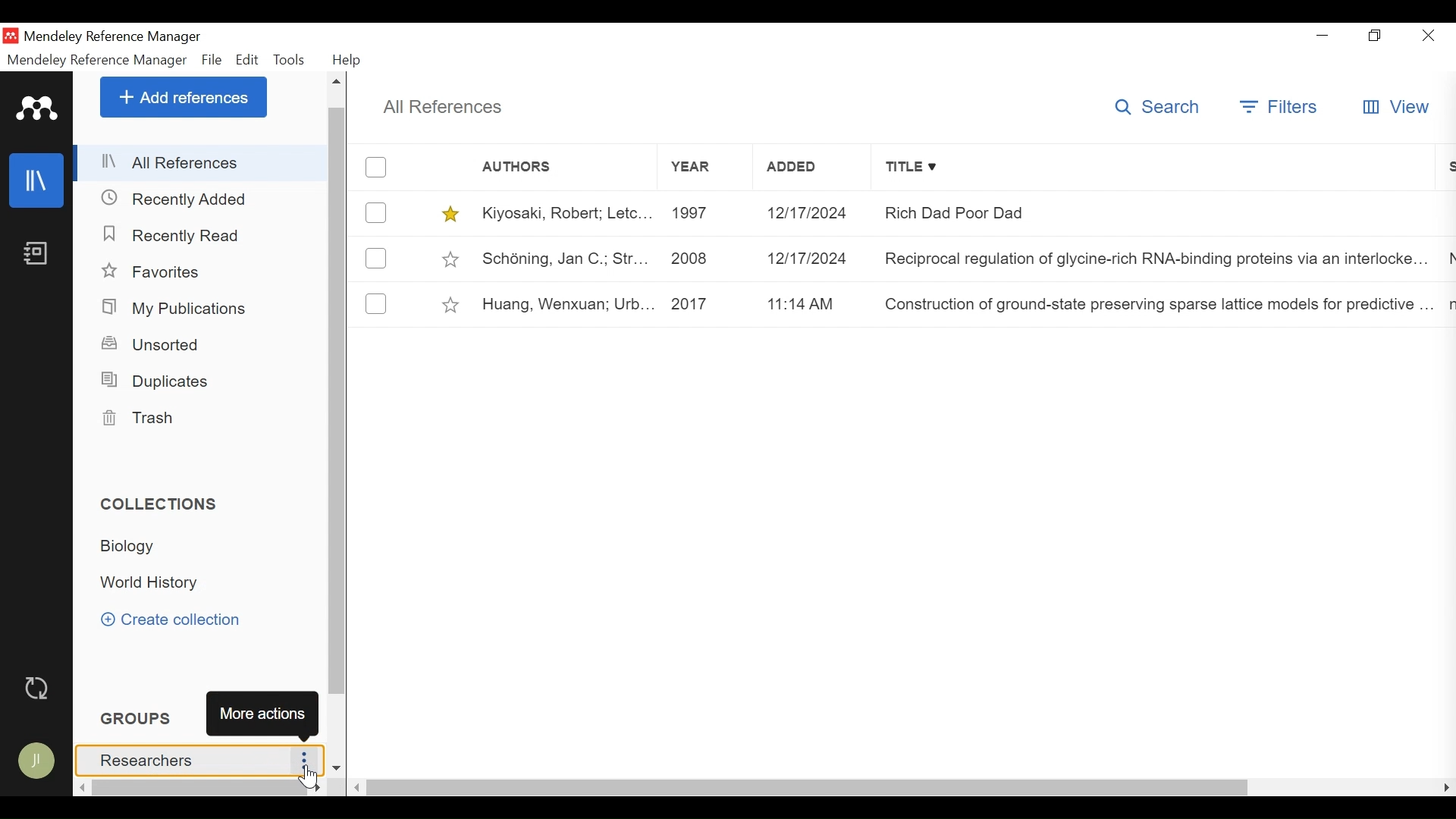 This screenshot has width=1456, height=819. I want to click on Title, so click(1156, 168).